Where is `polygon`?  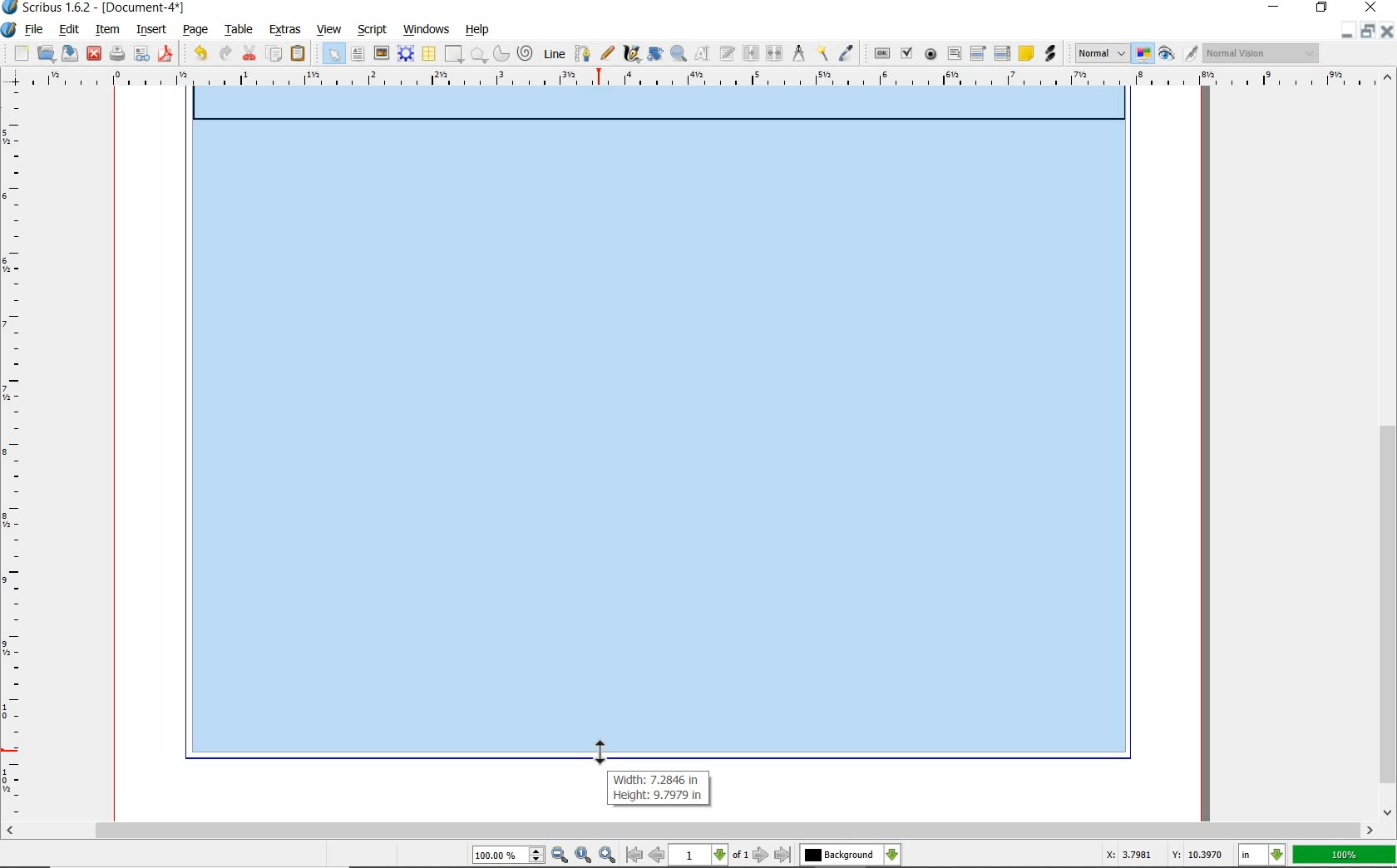 polygon is located at coordinates (479, 56).